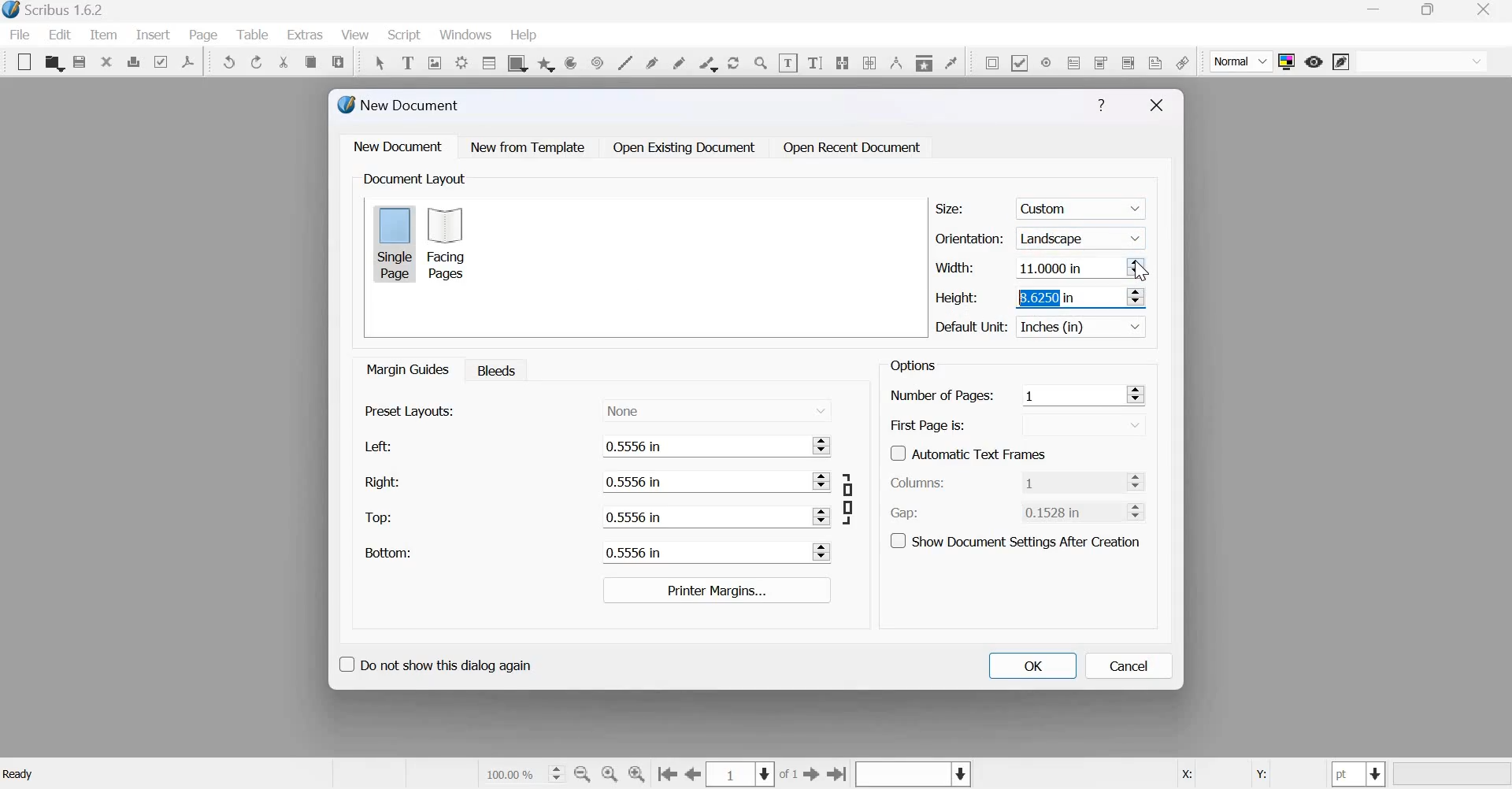  Describe the element at coordinates (450, 243) in the screenshot. I see `Facing pages` at that location.